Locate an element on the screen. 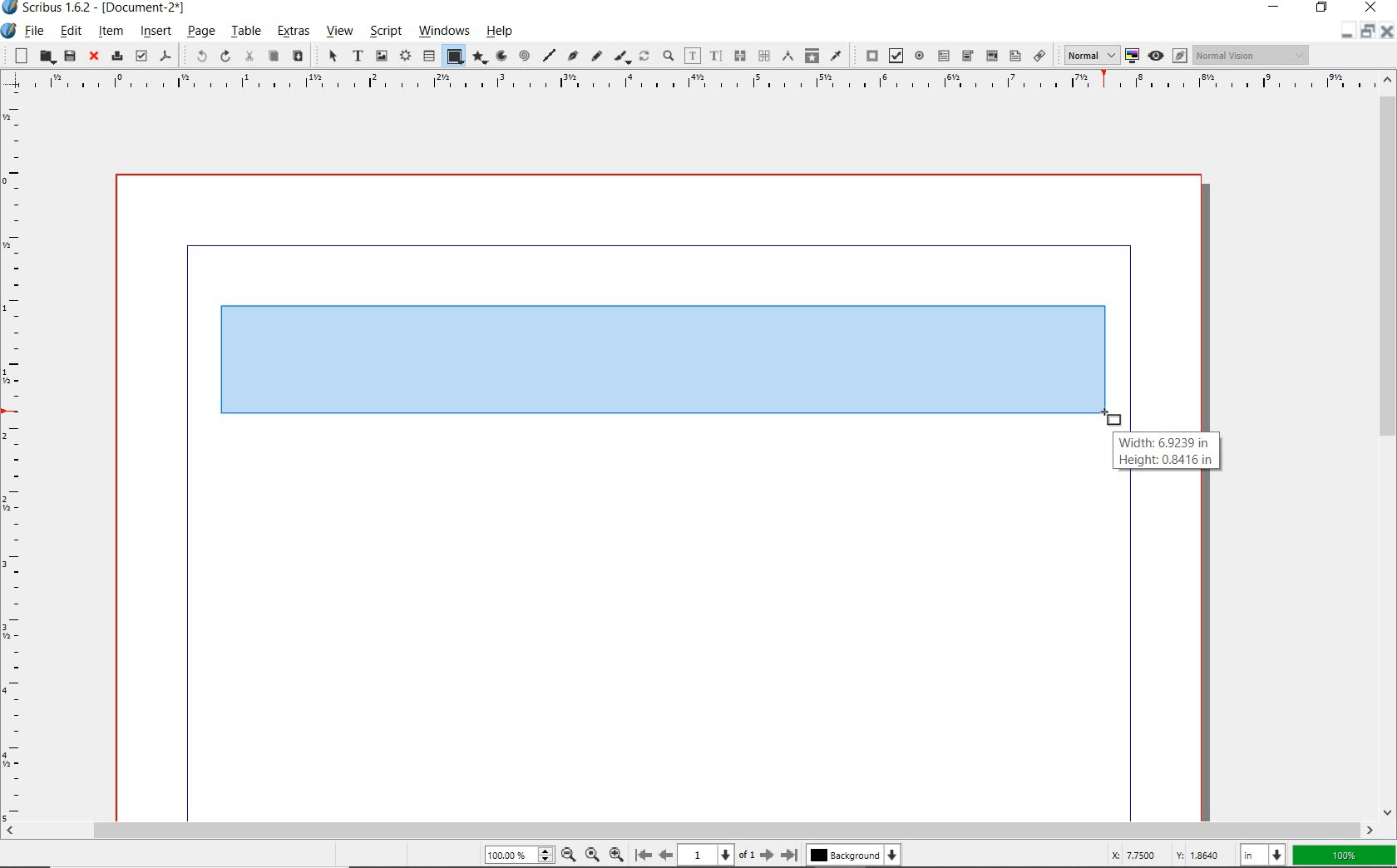 The image size is (1397, 868). zoom out is located at coordinates (616, 853).